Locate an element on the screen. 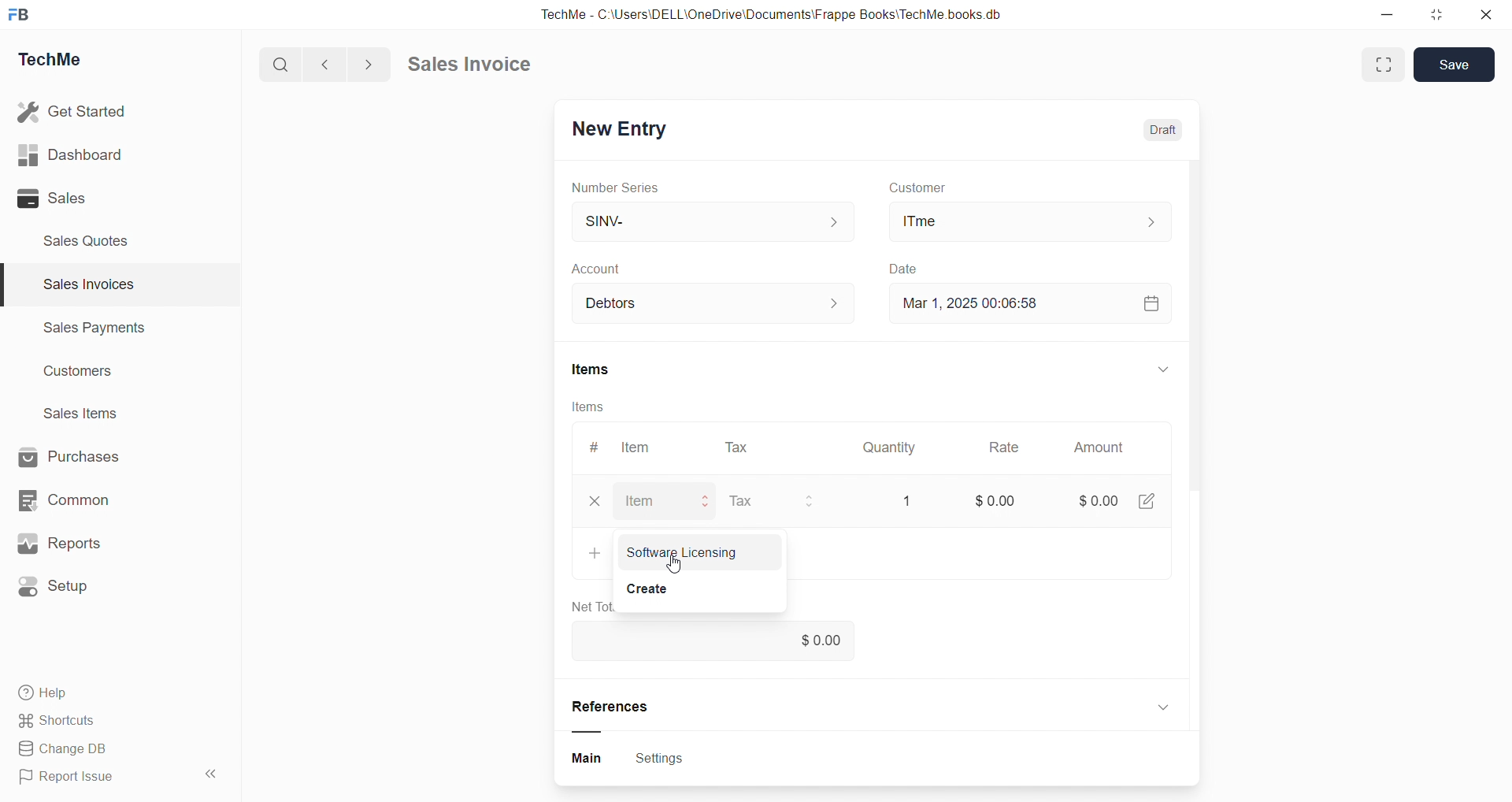 The width and height of the screenshot is (1512, 802). ull Dashboard is located at coordinates (78, 154).